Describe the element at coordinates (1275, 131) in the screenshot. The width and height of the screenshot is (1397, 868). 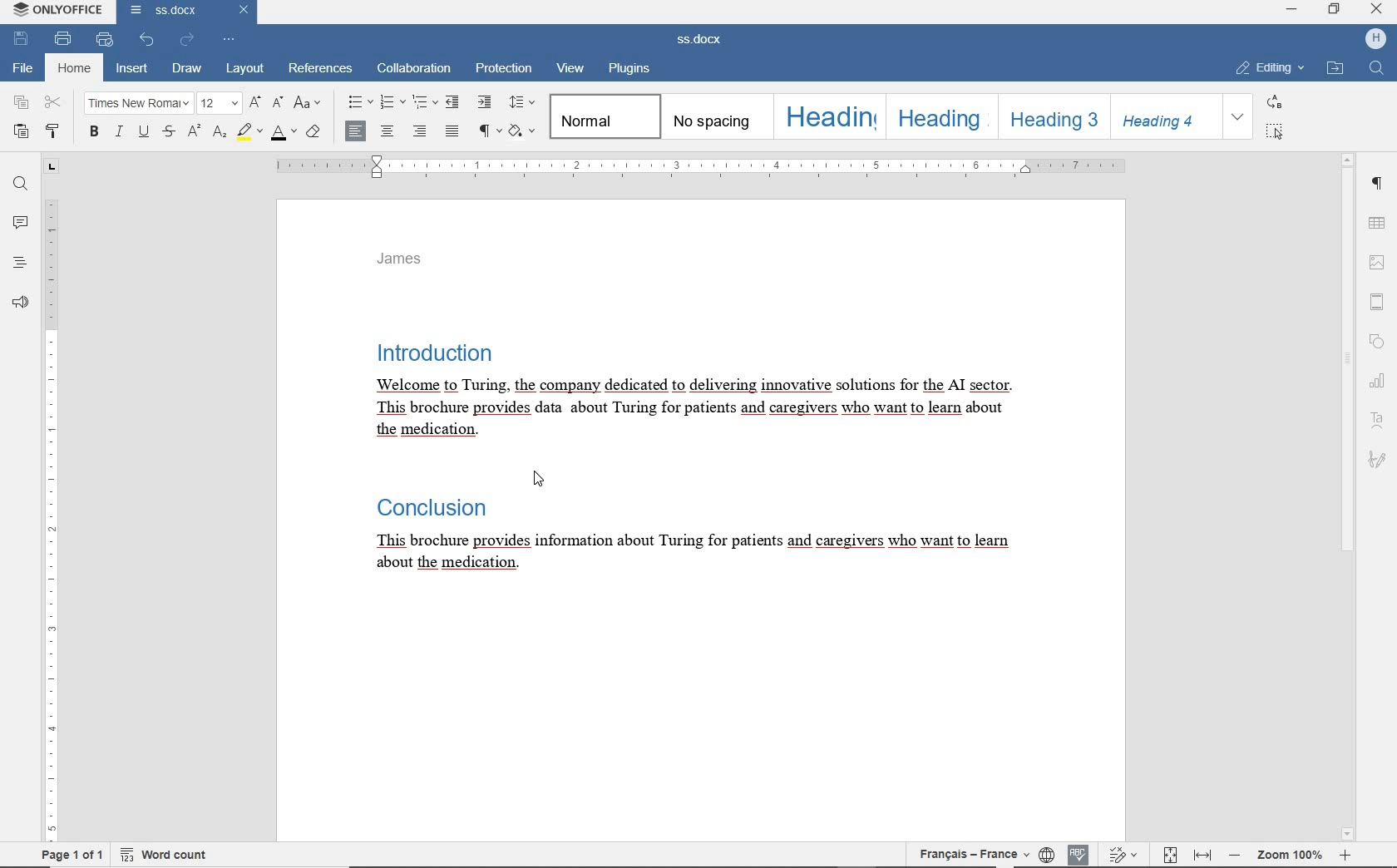
I see `SELECT ALL` at that location.